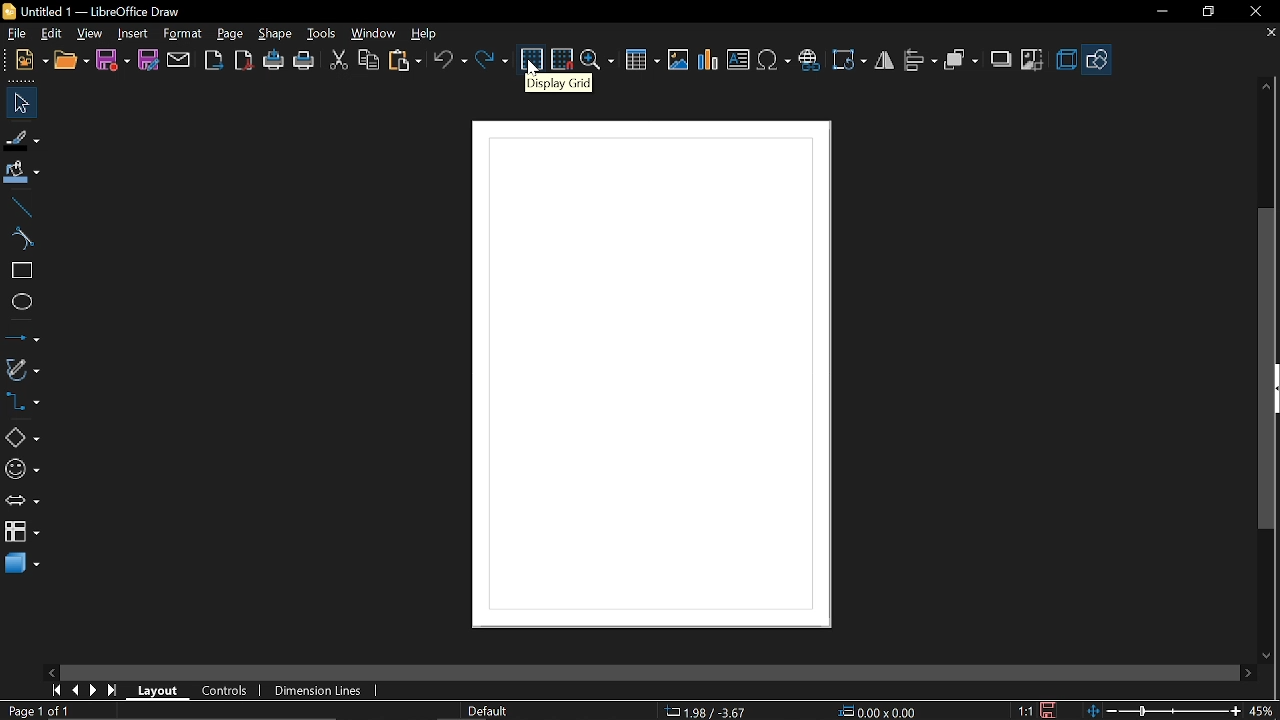  I want to click on line, so click(21, 208).